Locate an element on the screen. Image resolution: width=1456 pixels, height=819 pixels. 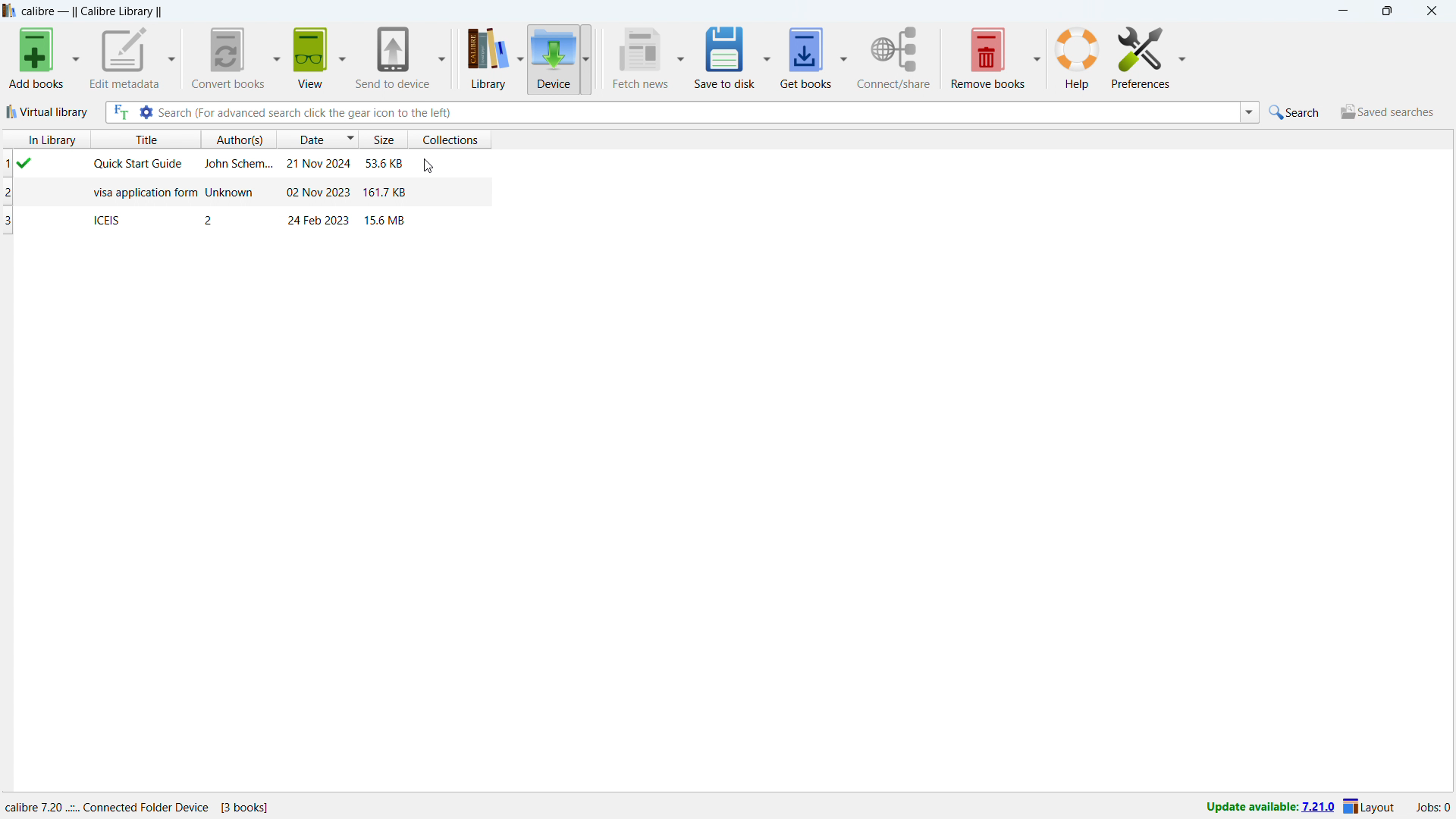
quick search is located at coordinates (1297, 112).